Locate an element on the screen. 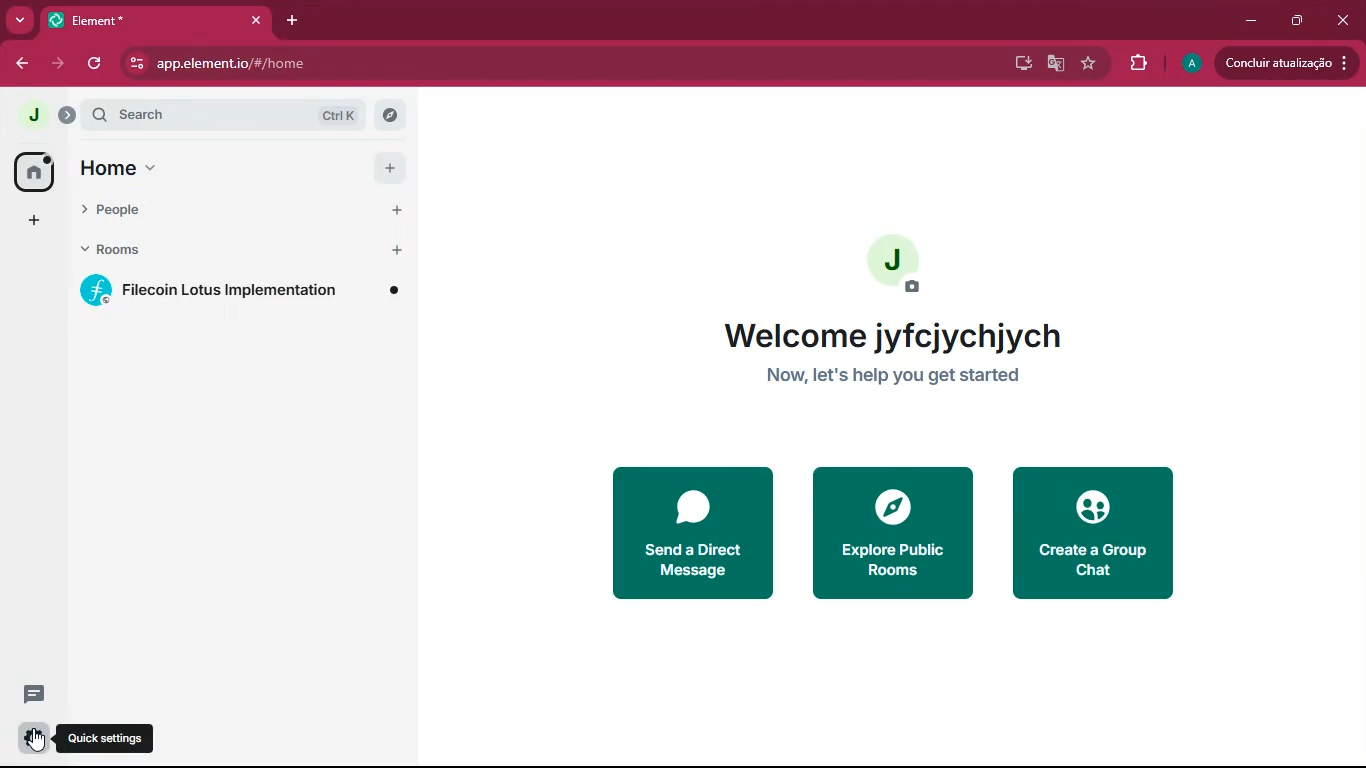  Now, let's help you get started is located at coordinates (890, 377).